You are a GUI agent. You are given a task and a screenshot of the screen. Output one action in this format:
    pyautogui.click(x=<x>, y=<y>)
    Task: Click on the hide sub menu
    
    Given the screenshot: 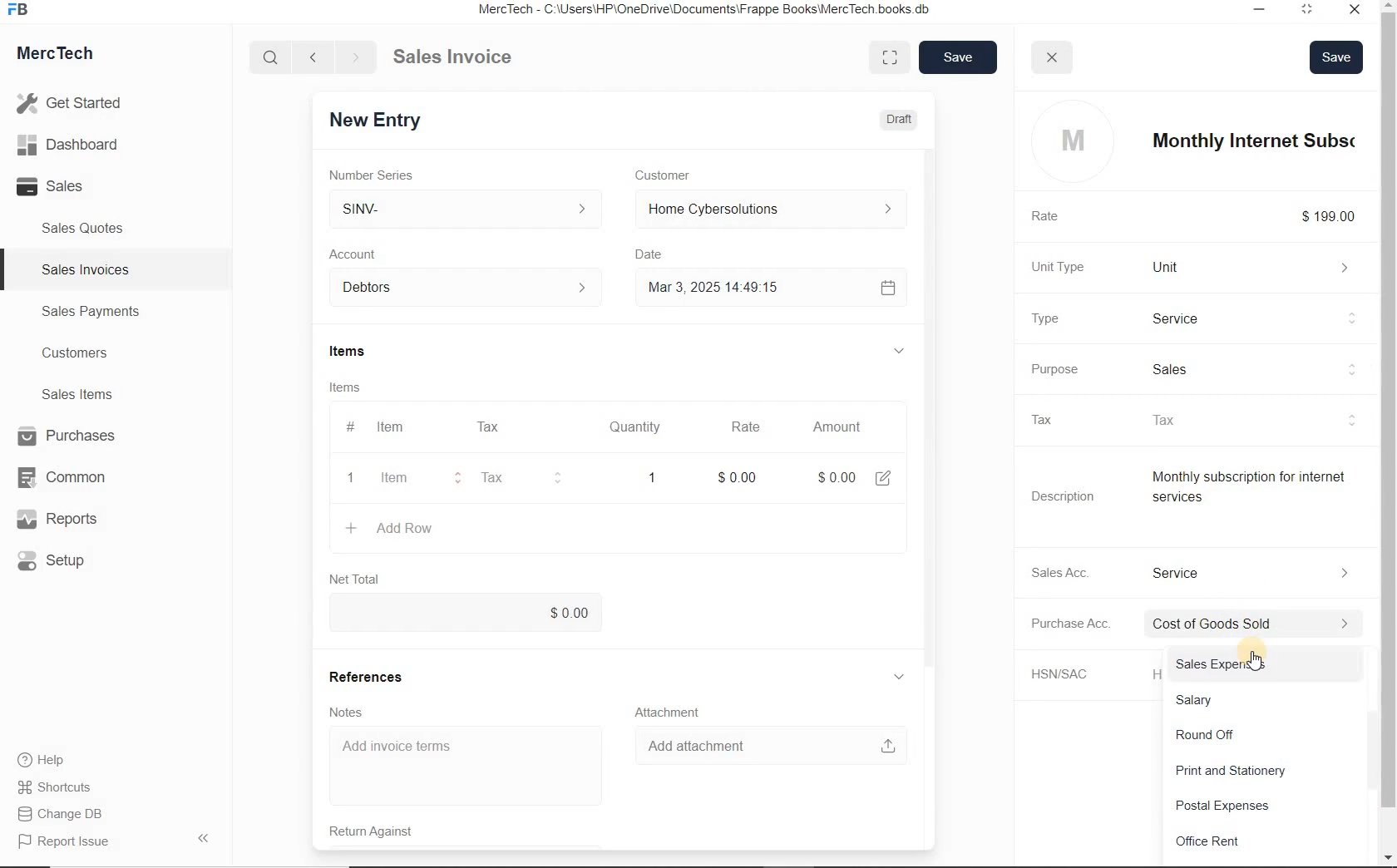 What is the action you would take?
    pyautogui.click(x=909, y=677)
    